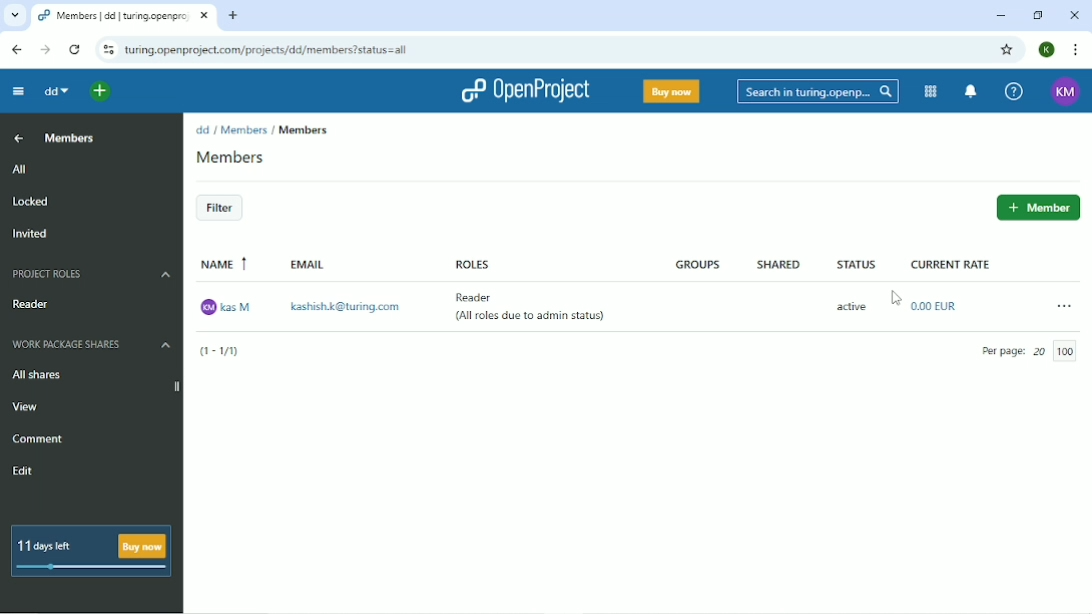 The height and width of the screenshot is (614, 1092). Describe the element at coordinates (936, 305) in the screenshot. I see `0.00EUR` at that location.